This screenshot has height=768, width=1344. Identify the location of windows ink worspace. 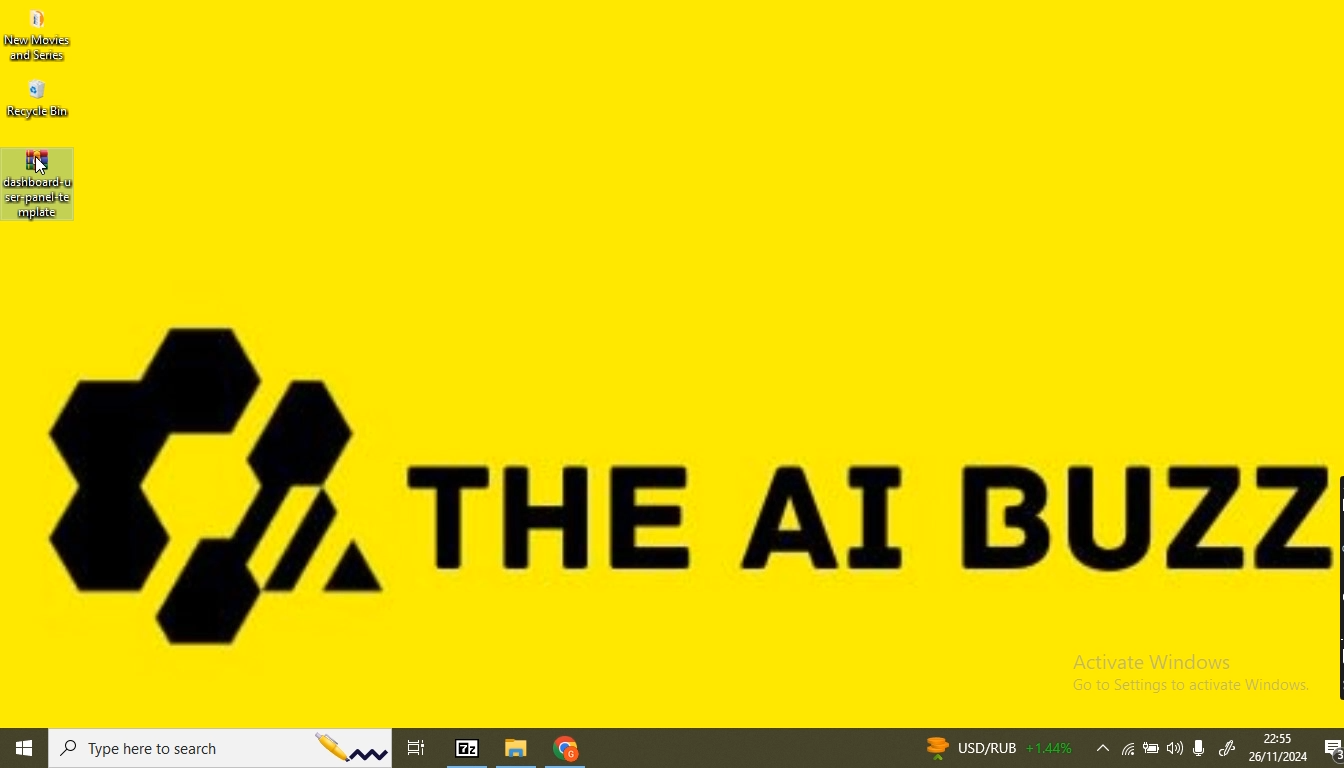
(1228, 750).